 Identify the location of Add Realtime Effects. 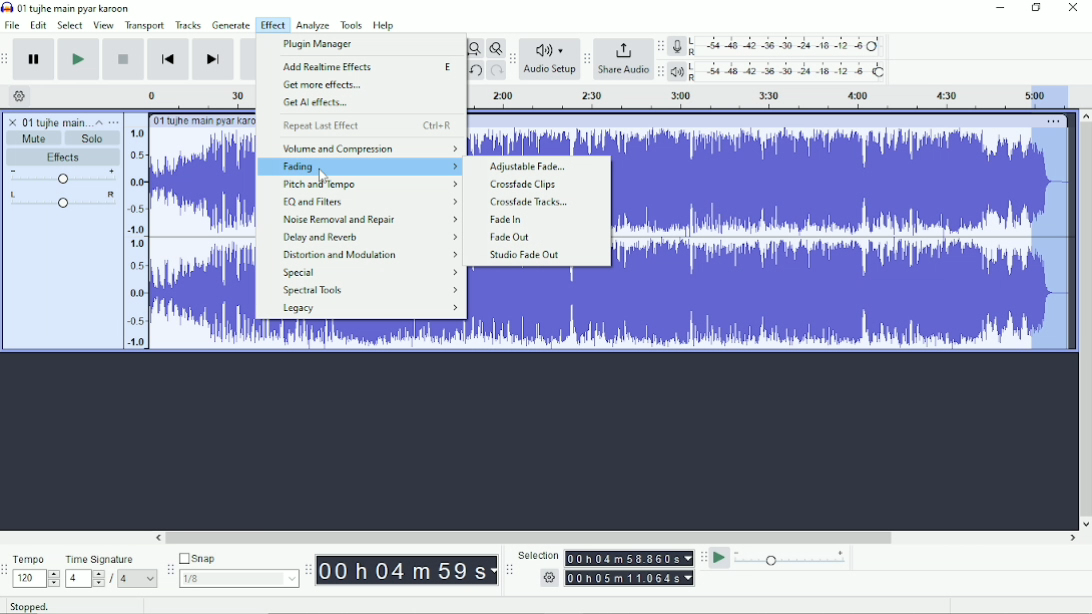
(369, 66).